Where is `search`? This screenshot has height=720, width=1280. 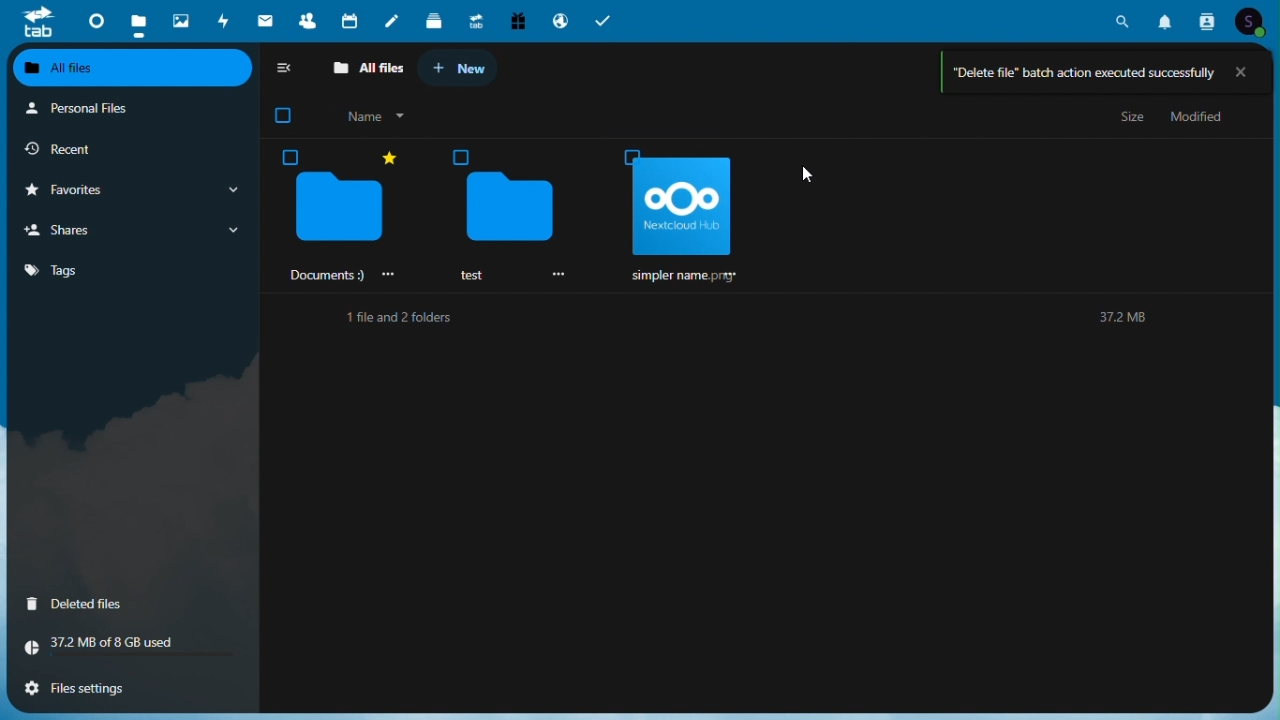 search is located at coordinates (1125, 19).